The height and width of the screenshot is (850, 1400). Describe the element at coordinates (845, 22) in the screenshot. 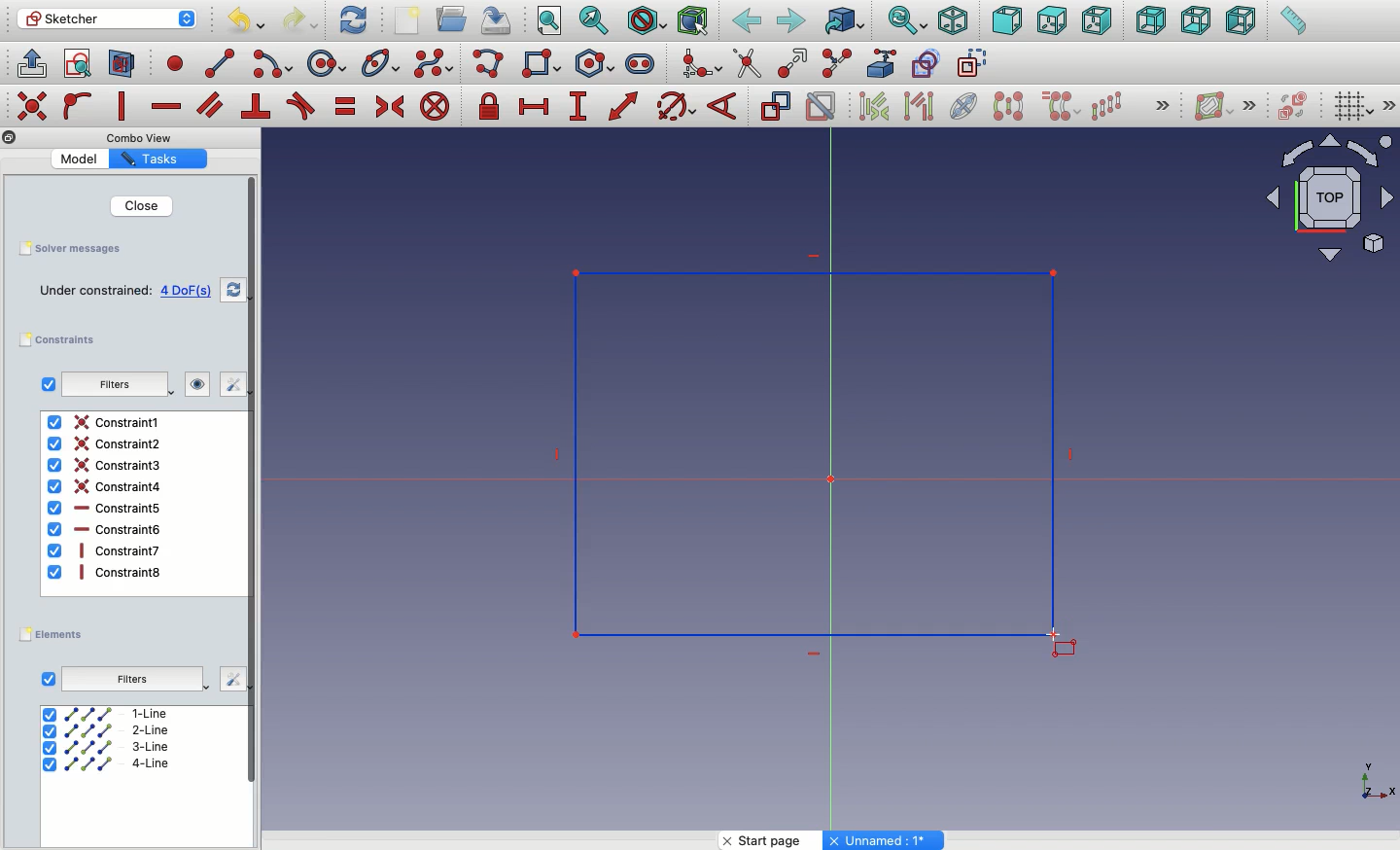

I see `Go to linked object` at that location.